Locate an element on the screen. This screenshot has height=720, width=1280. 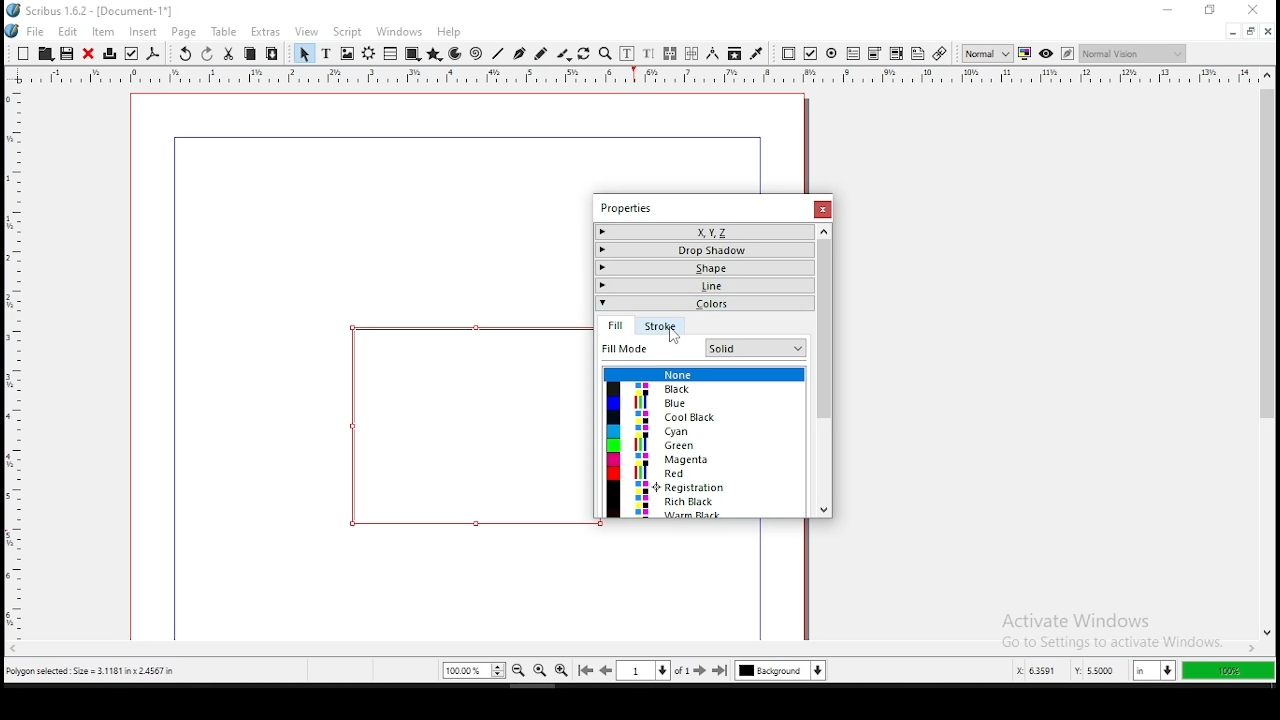
 is located at coordinates (756, 349).